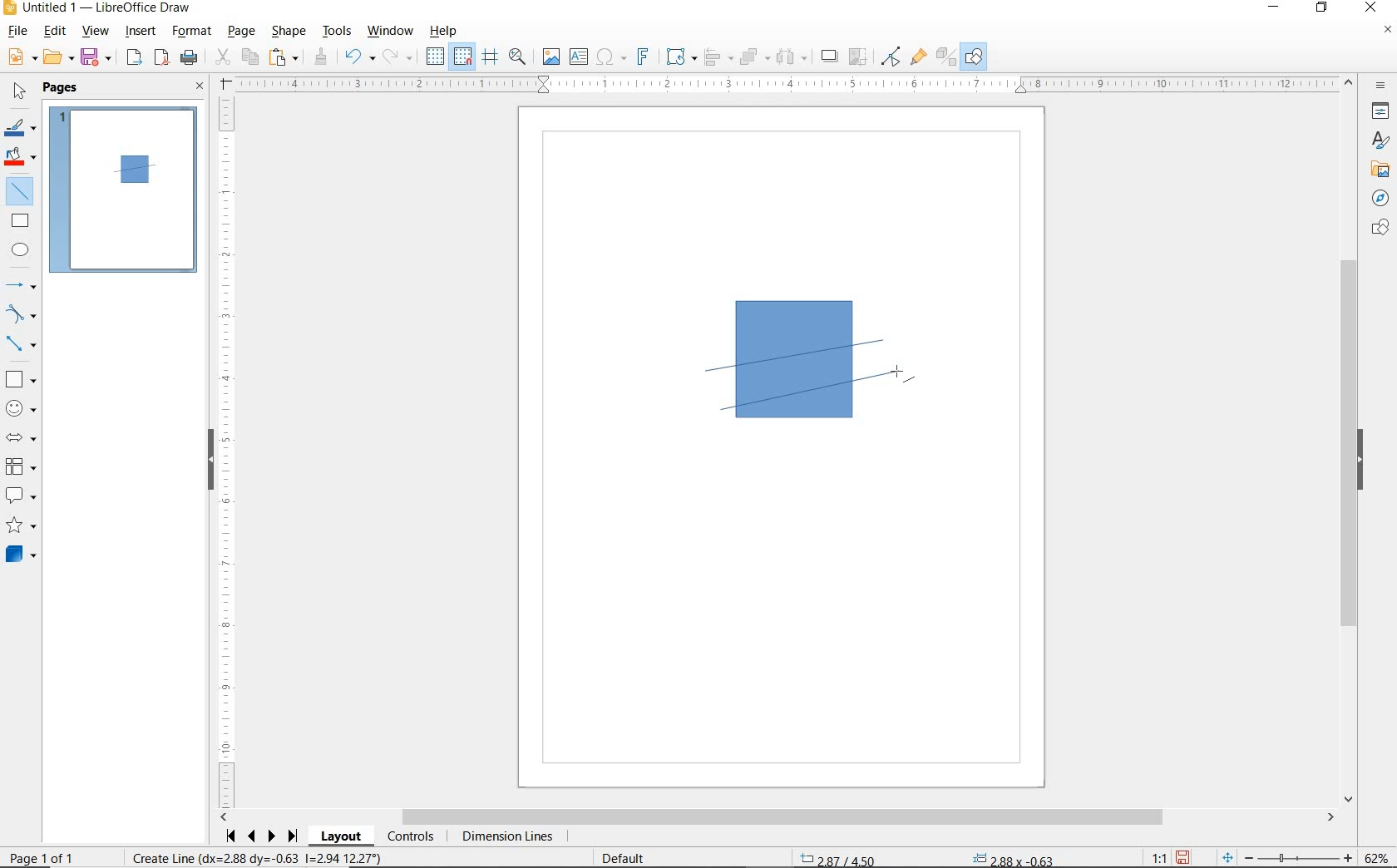 This screenshot has height=868, width=1397. What do you see at coordinates (26, 437) in the screenshot?
I see `BLOCK ARROWS` at bounding box center [26, 437].